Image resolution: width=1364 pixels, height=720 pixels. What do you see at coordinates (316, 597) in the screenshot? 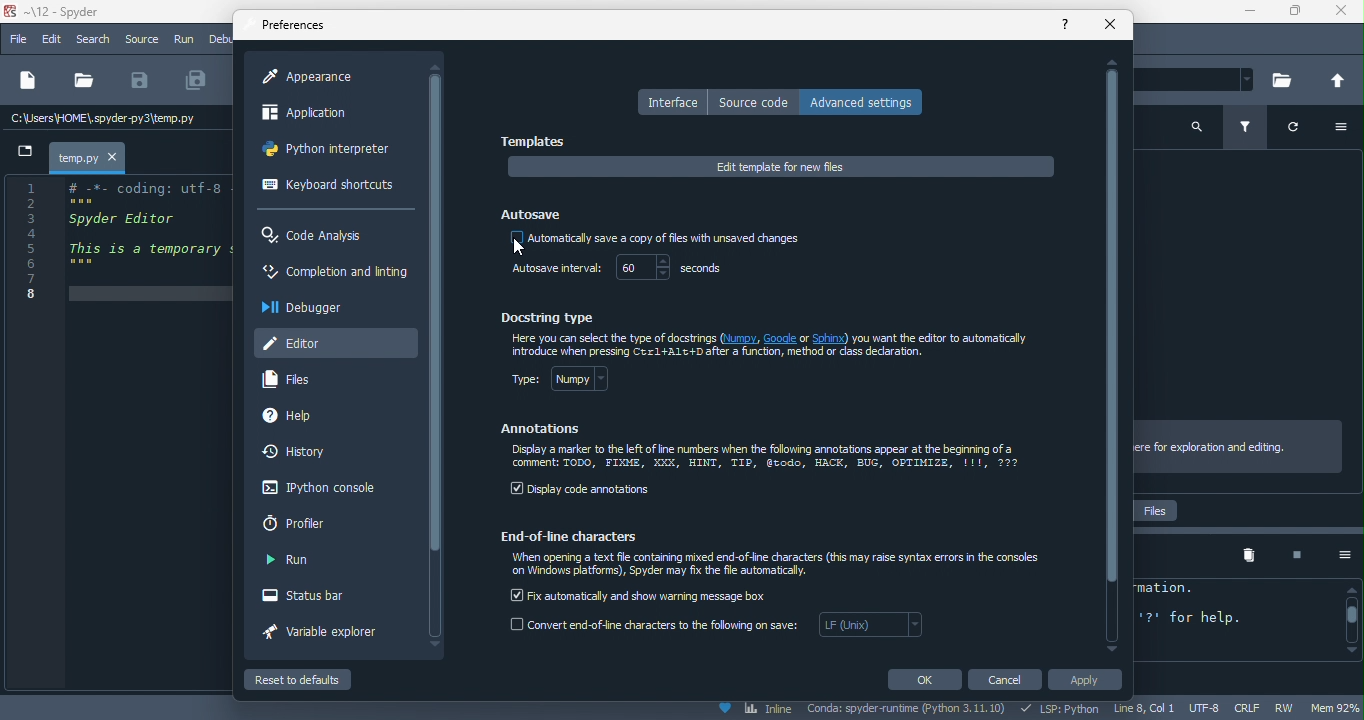
I see `status bar` at bounding box center [316, 597].